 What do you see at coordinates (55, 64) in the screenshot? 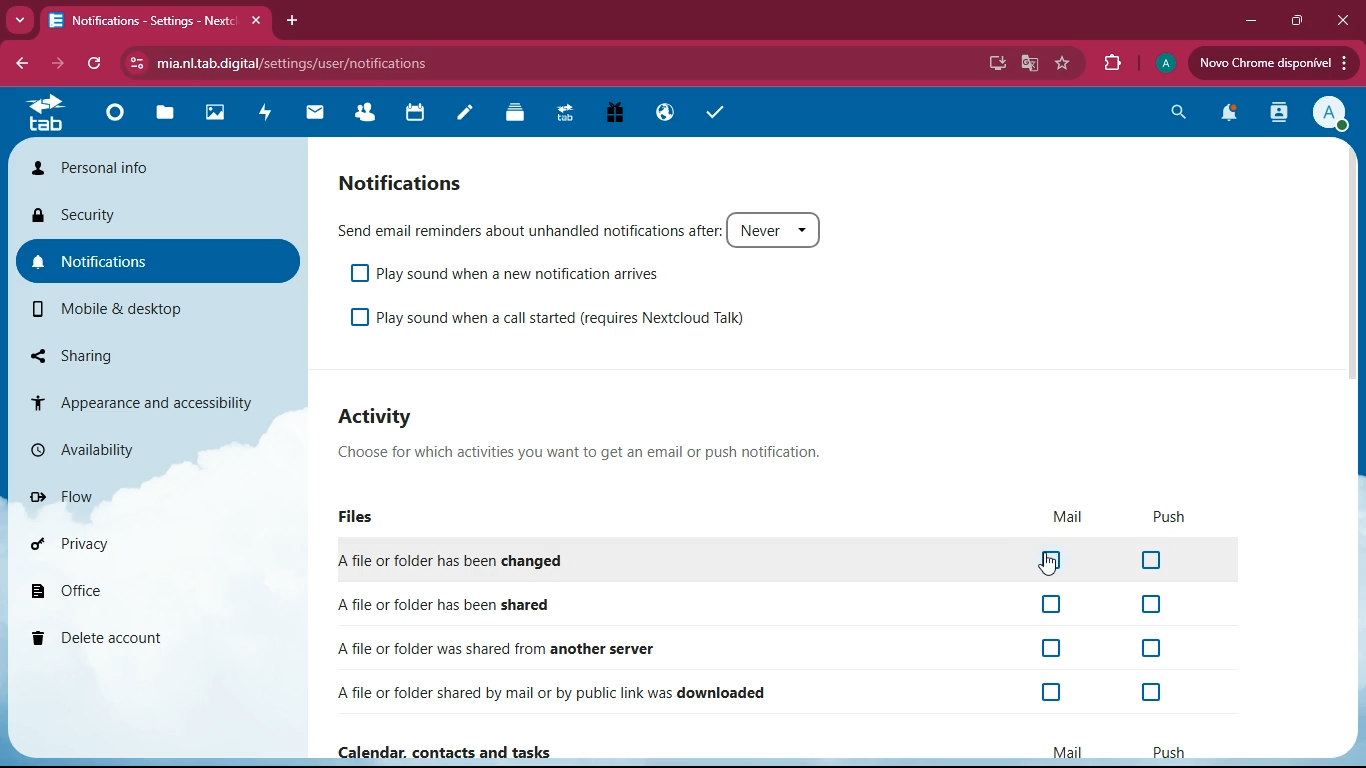
I see `forward` at bounding box center [55, 64].